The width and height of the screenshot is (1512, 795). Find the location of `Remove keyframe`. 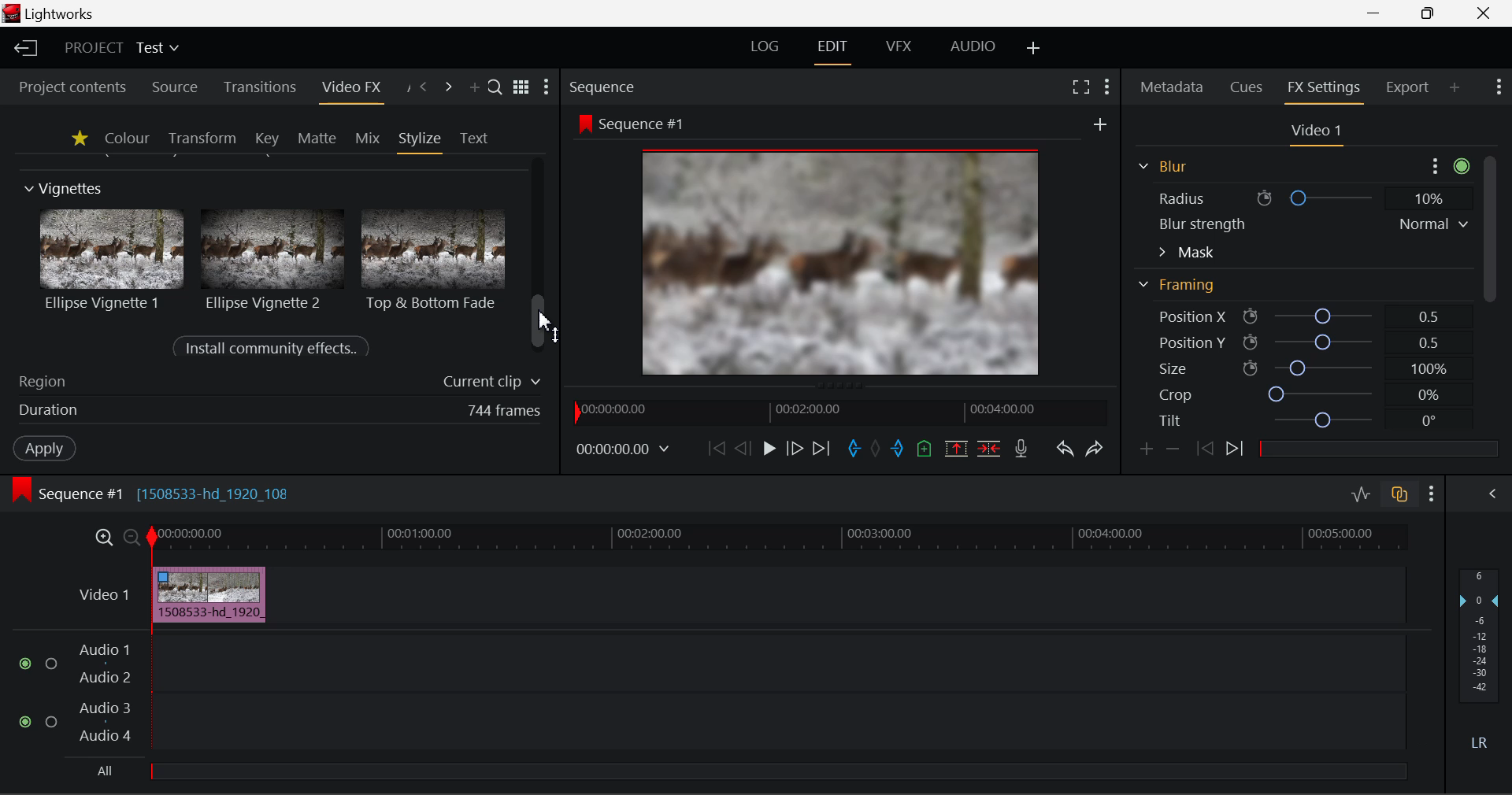

Remove keyframe is located at coordinates (1173, 448).